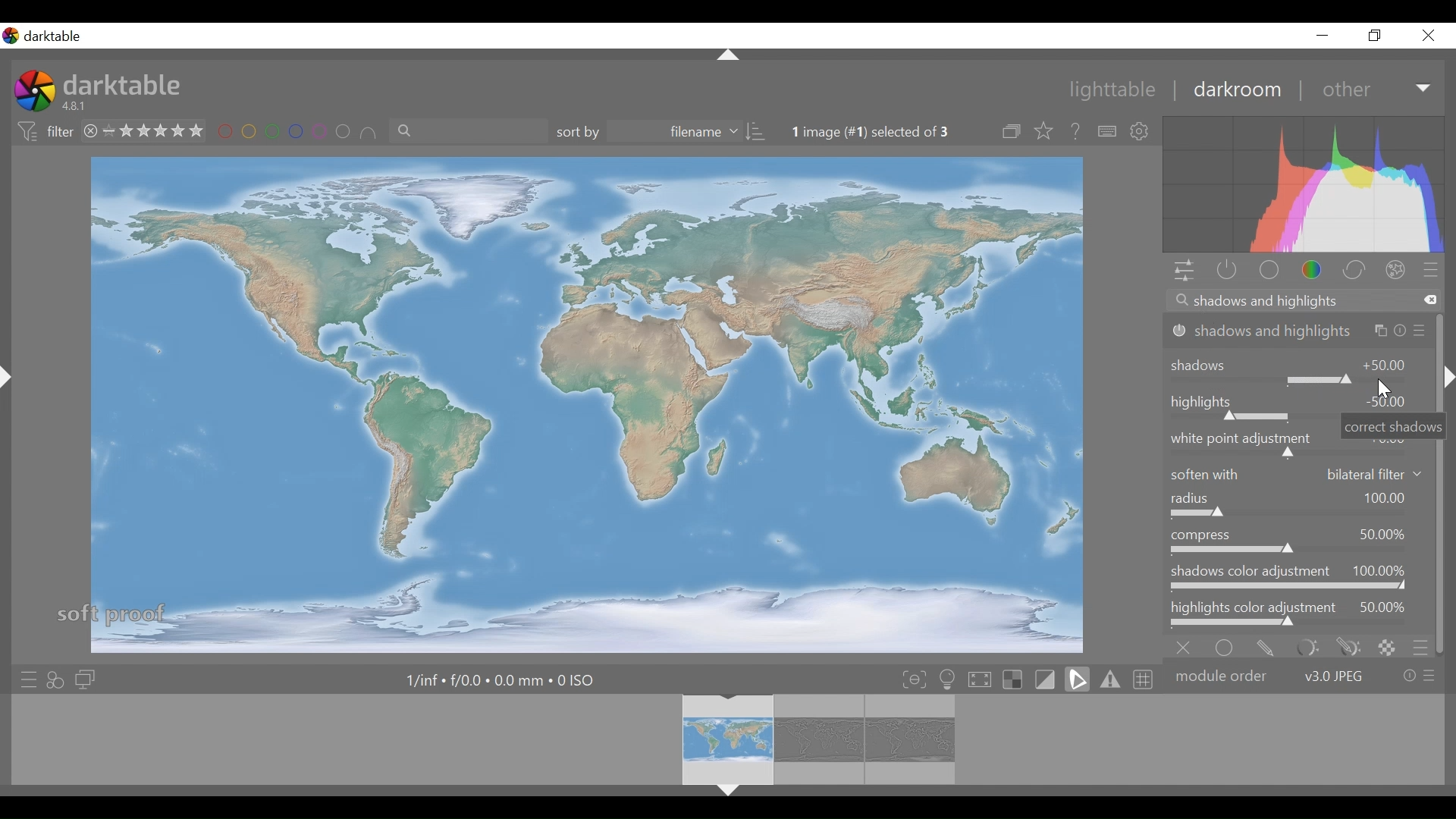 This screenshot has width=1456, height=819. I want to click on click to change the type of overlays, so click(1045, 132).